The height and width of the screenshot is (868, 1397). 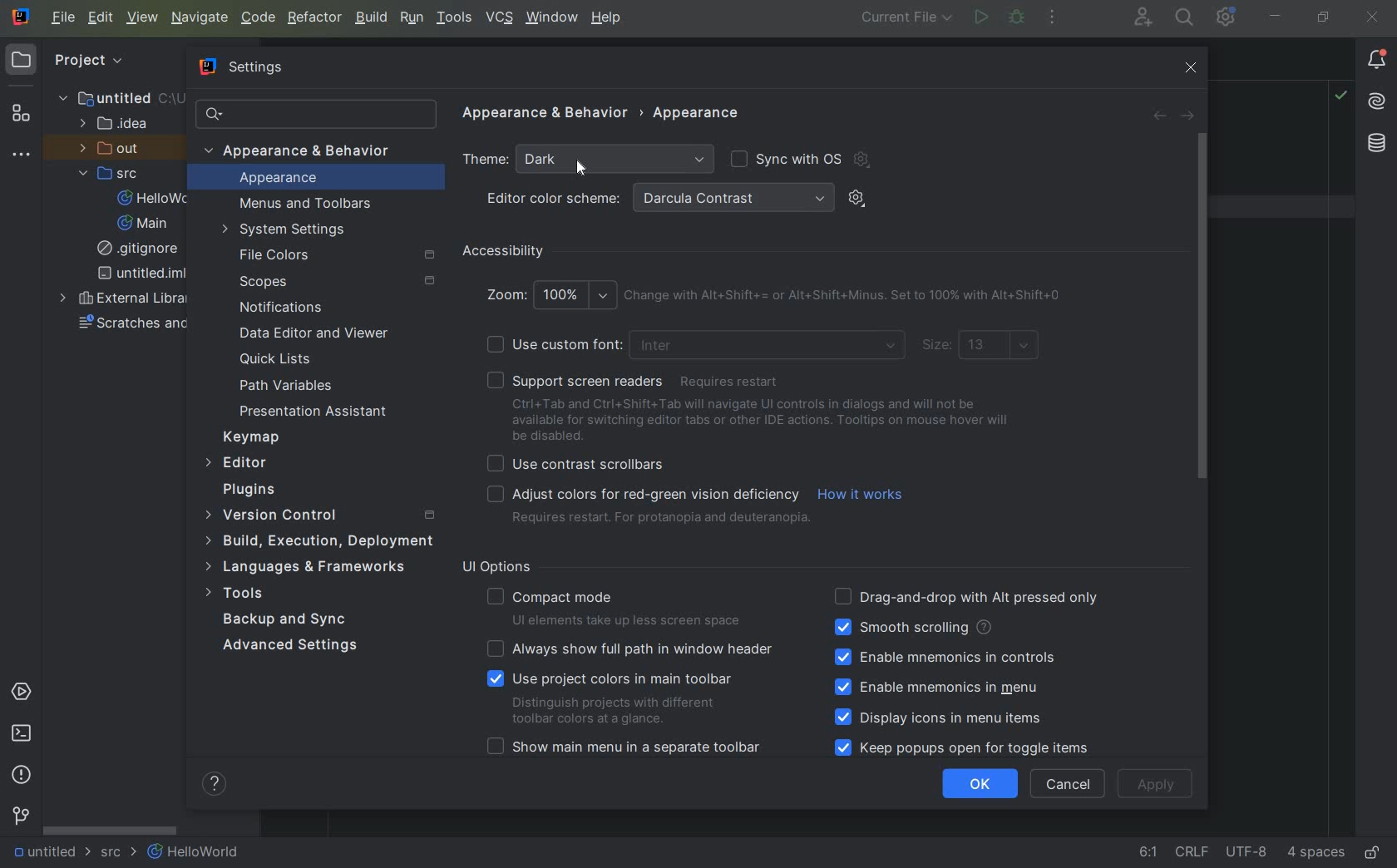 What do you see at coordinates (120, 854) in the screenshot?
I see `SRC` at bounding box center [120, 854].